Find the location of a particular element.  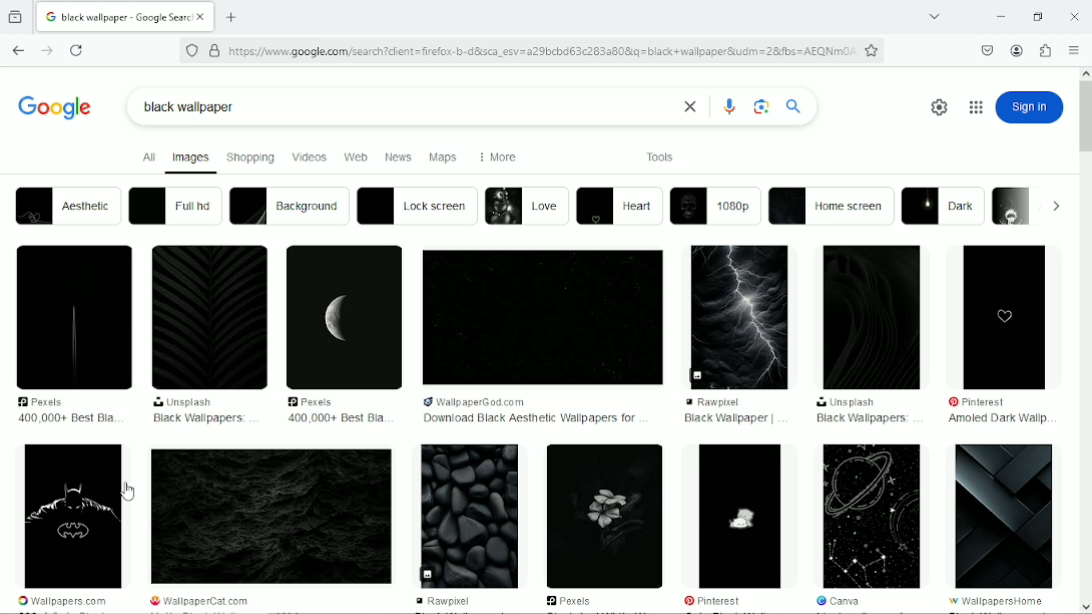

wallp apergod.com is located at coordinates (502, 401).